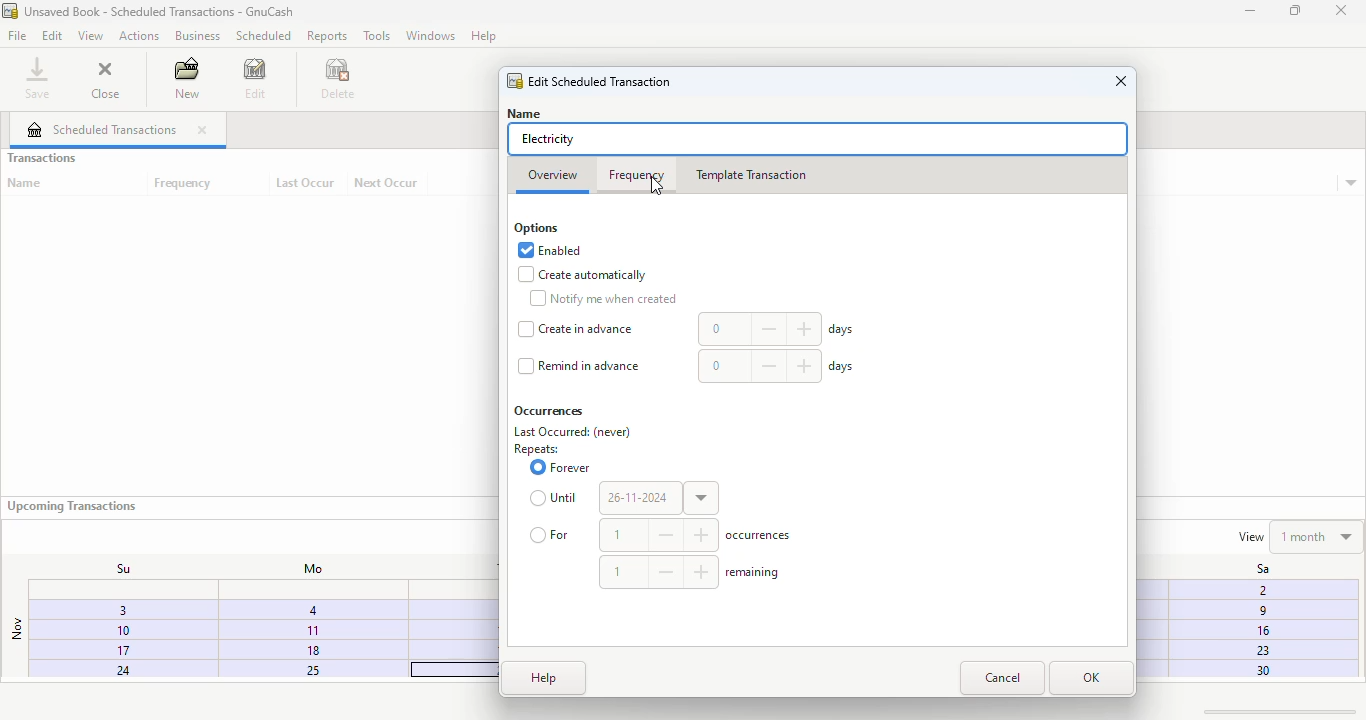 The width and height of the screenshot is (1366, 720). Describe the element at coordinates (550, 250) in the screenshot. I see `enabled` at that location.